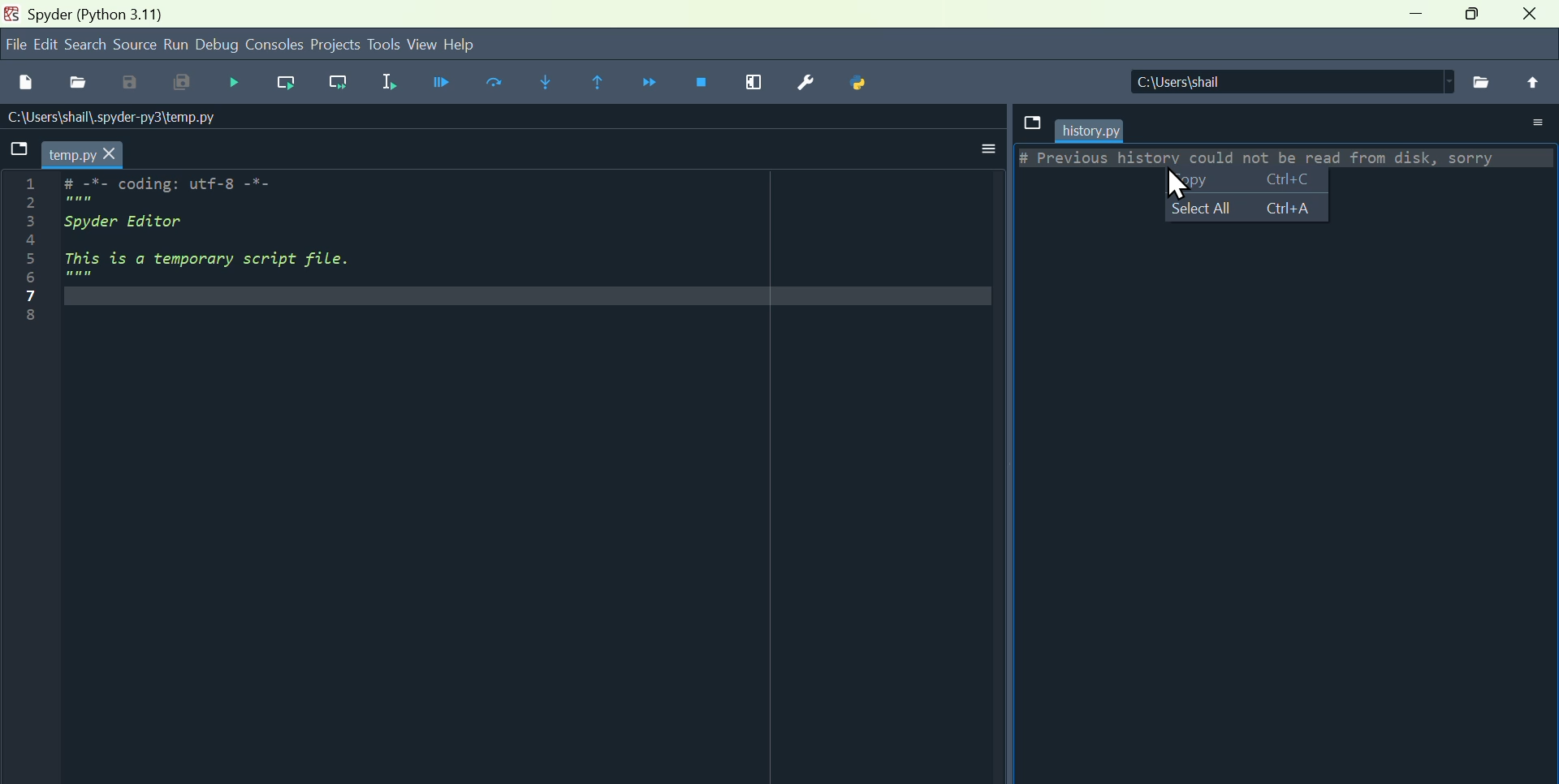 This screenshot has width=1559, height=784. I want to click on minimize, so click(1415, 12).